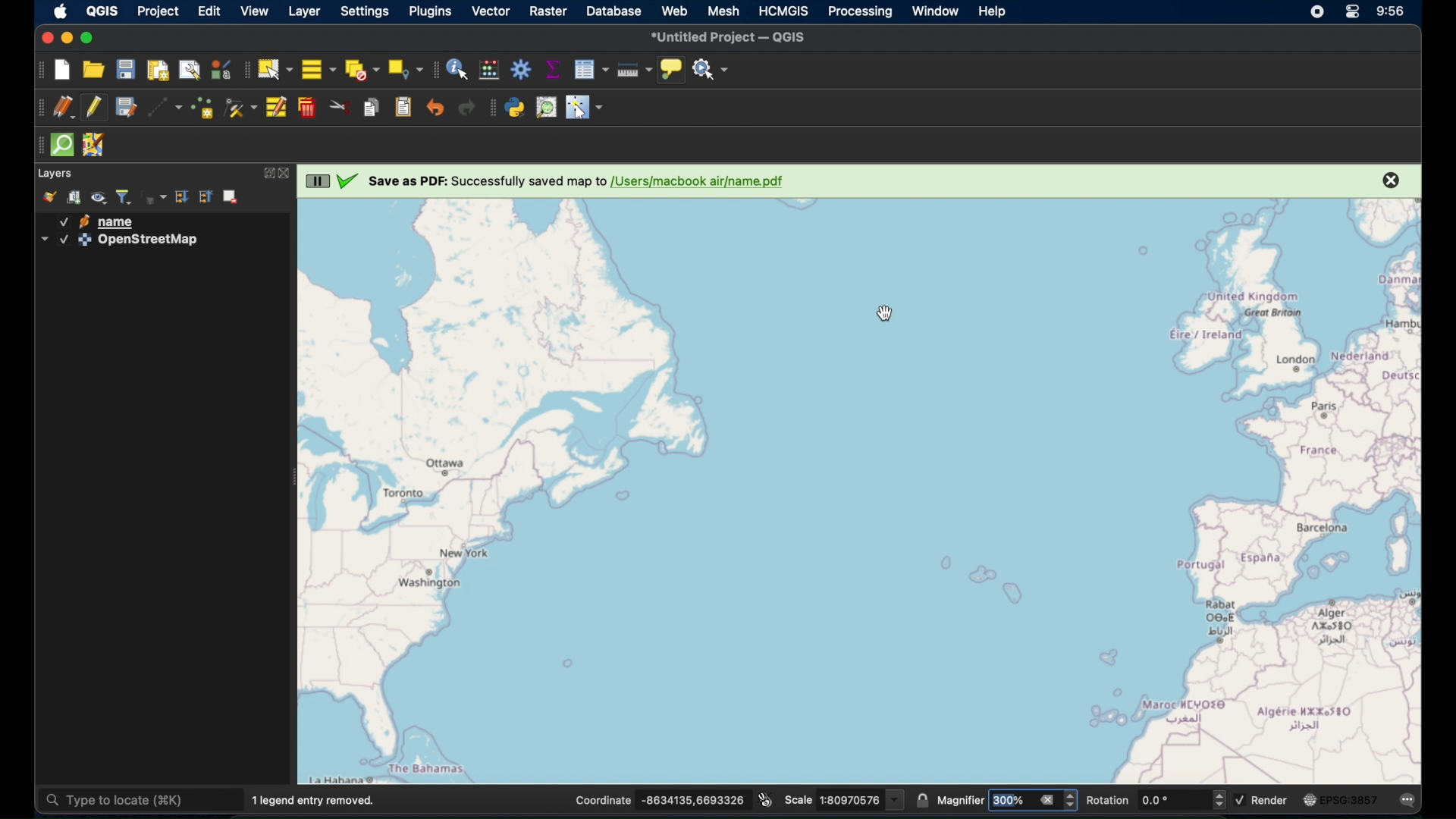 This screenshot has width=1456, height=819. I want to click on drag handles, so click(36, 147).